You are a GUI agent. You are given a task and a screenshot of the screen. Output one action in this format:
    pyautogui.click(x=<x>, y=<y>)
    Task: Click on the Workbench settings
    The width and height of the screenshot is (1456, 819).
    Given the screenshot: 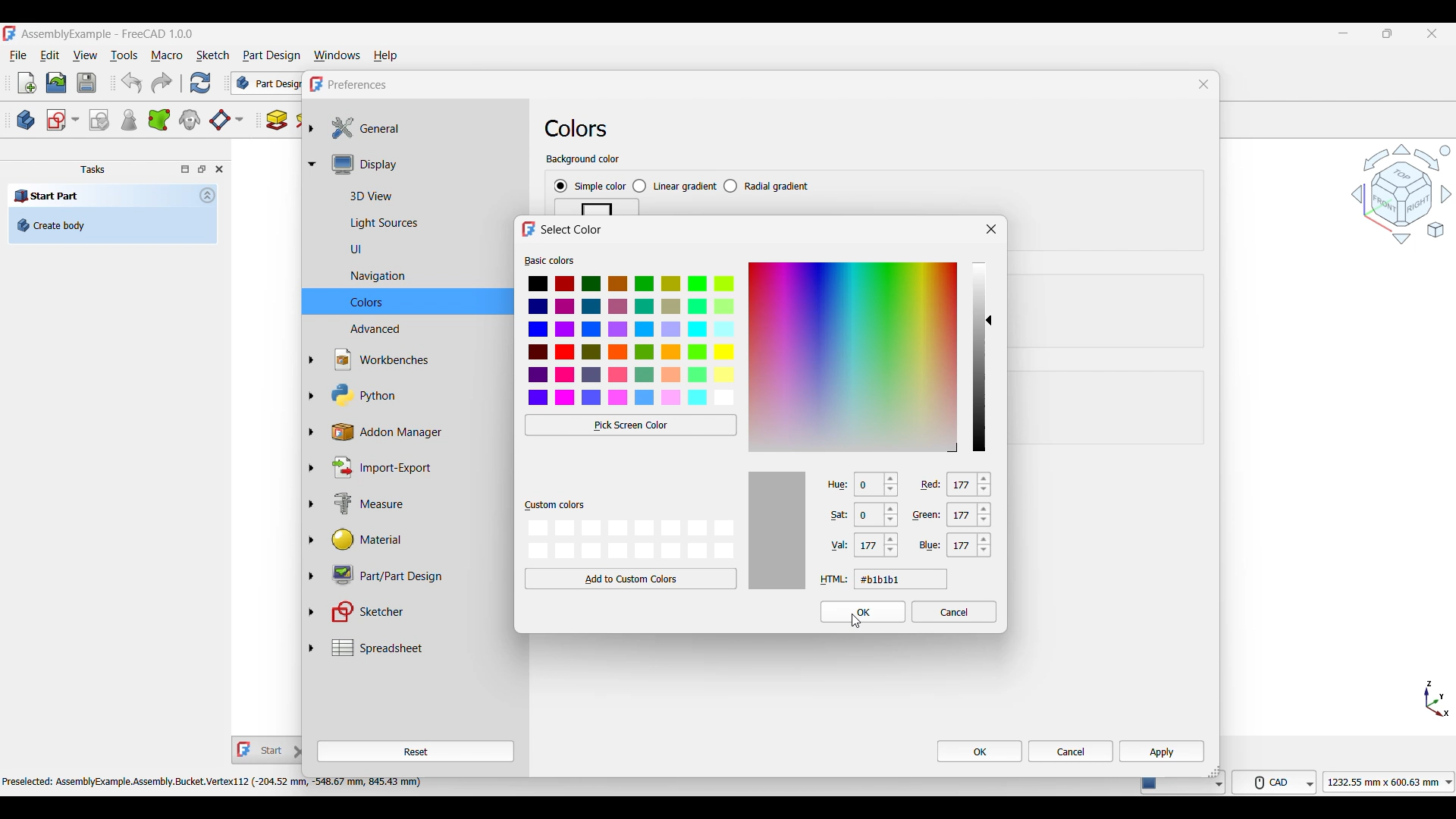 What is the action you would take?
    pyautogui.click(x=416, y=359)
    